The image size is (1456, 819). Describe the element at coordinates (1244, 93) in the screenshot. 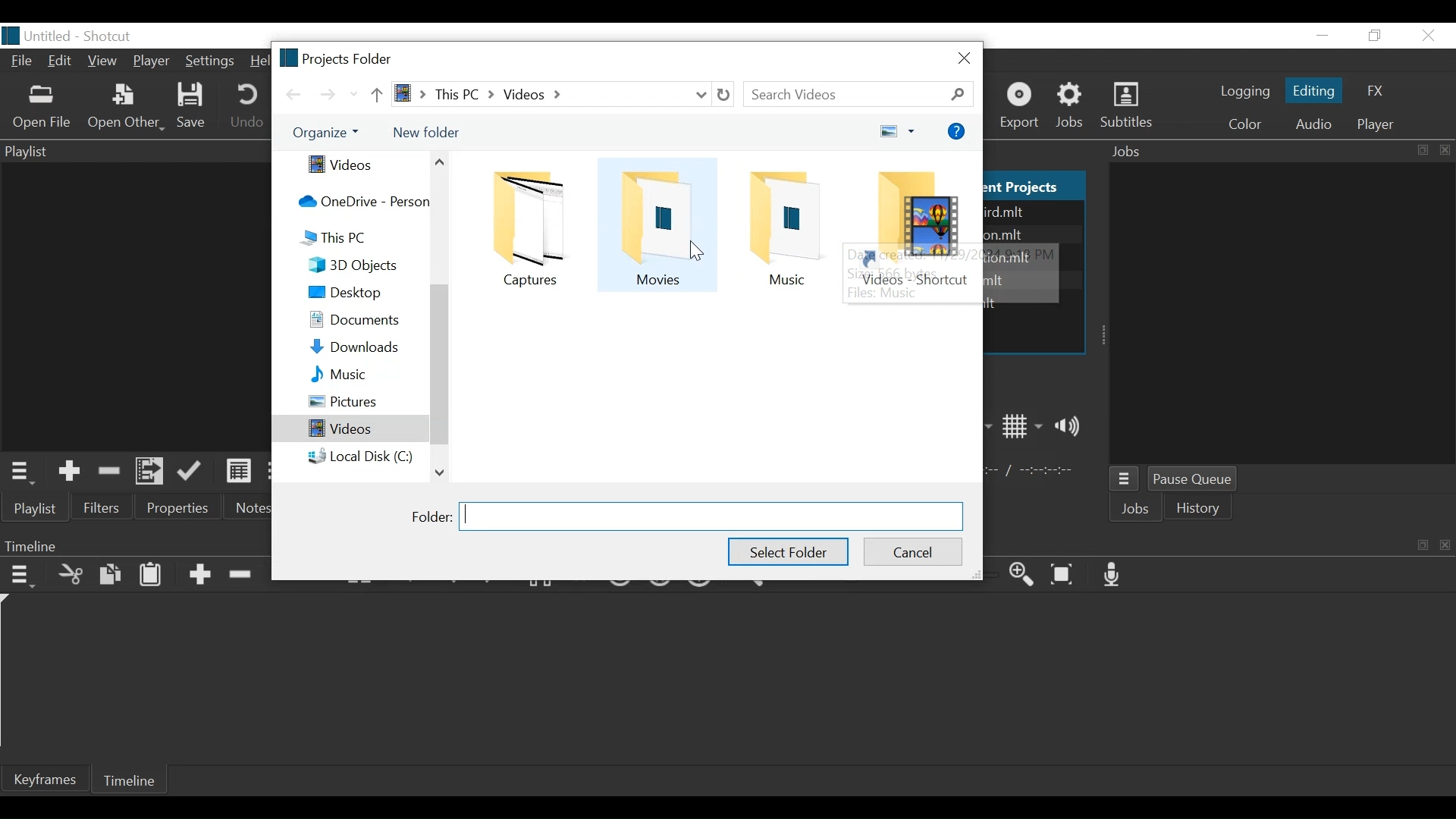

I see `logging` at that location.